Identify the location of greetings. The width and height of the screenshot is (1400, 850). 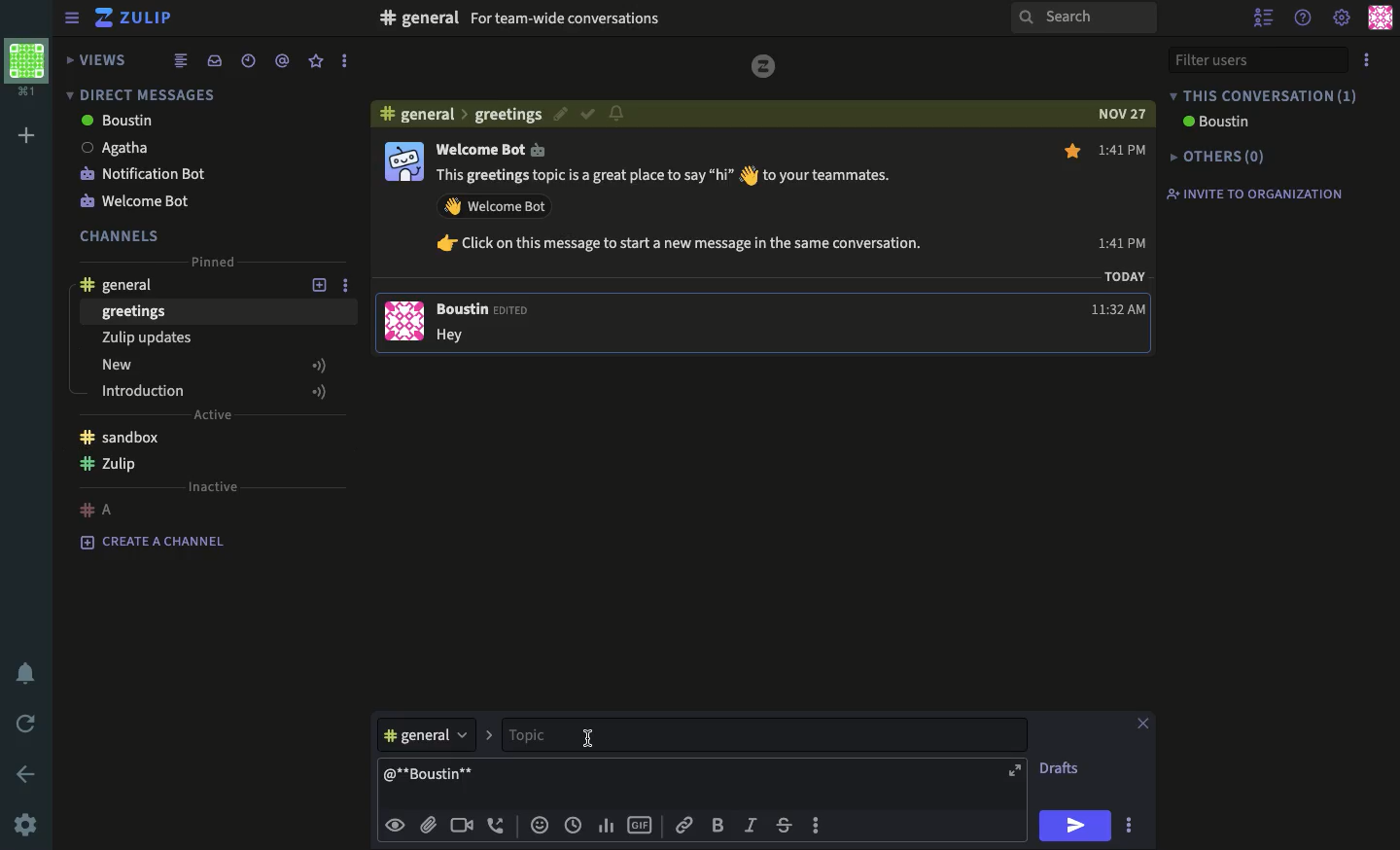
(135, 311).